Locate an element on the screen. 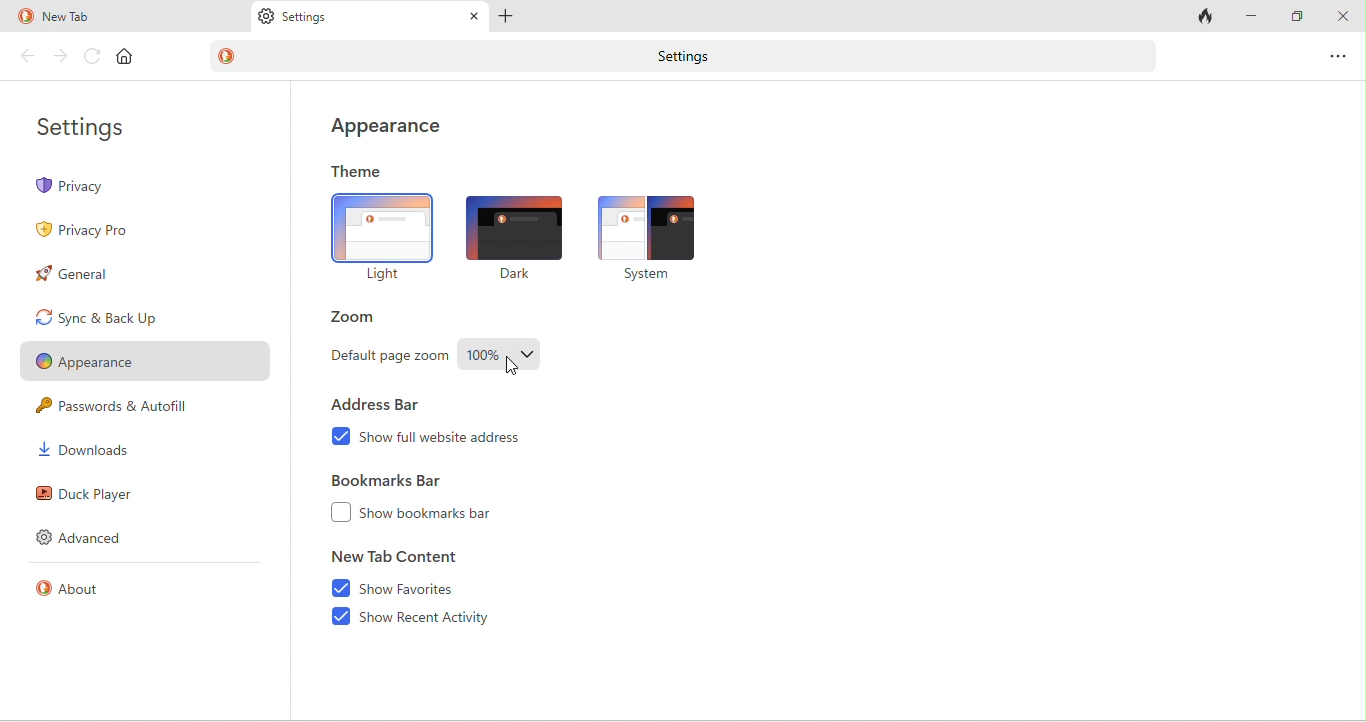 Image resolution: width=1366 pixels, height=722 pixels. close is located at coordinates (470, 16).